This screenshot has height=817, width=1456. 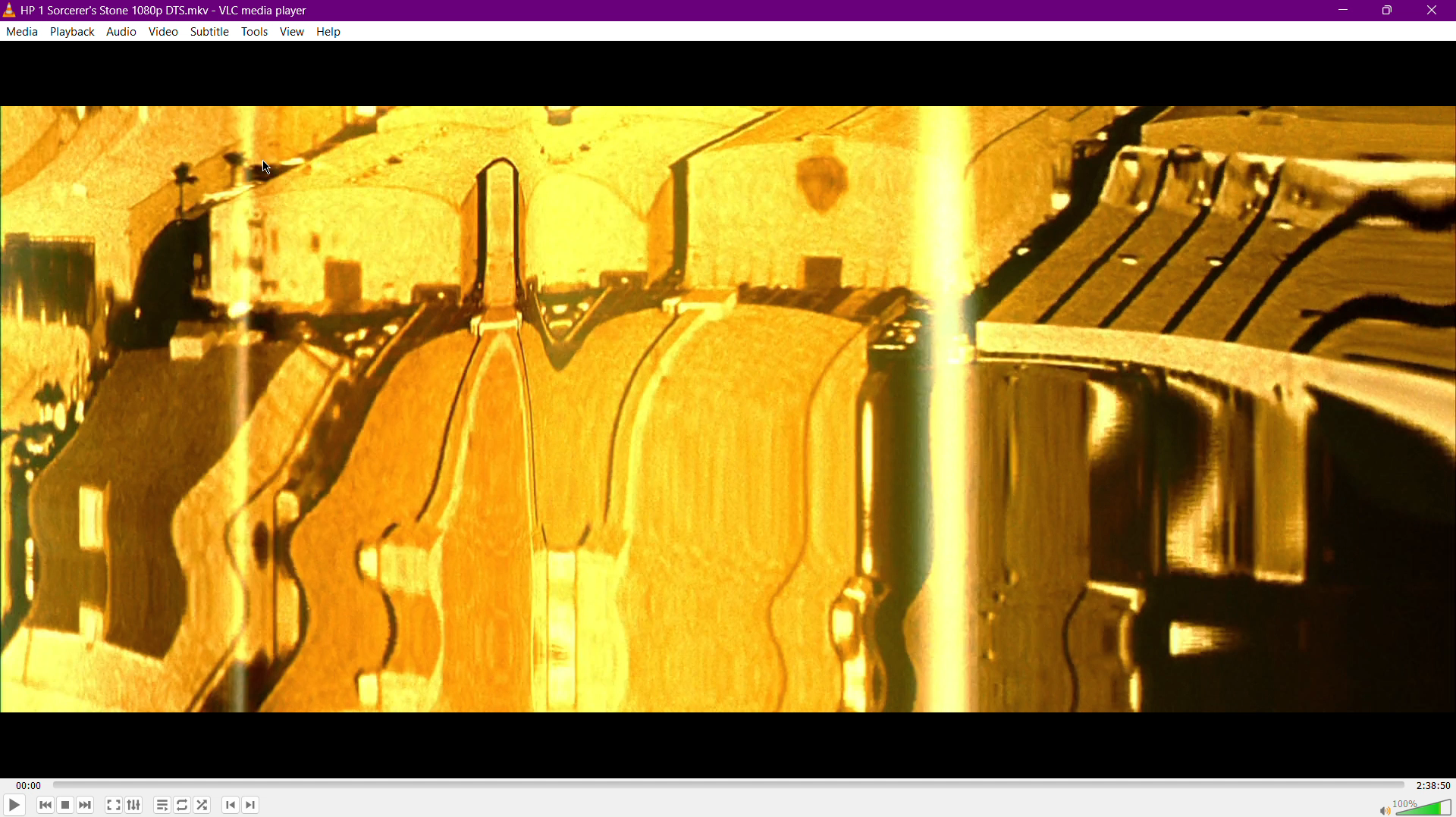 What do you see at coordinates (31, 784) in the screenshot?
I see `00:00` at bounding box center [31, 784].